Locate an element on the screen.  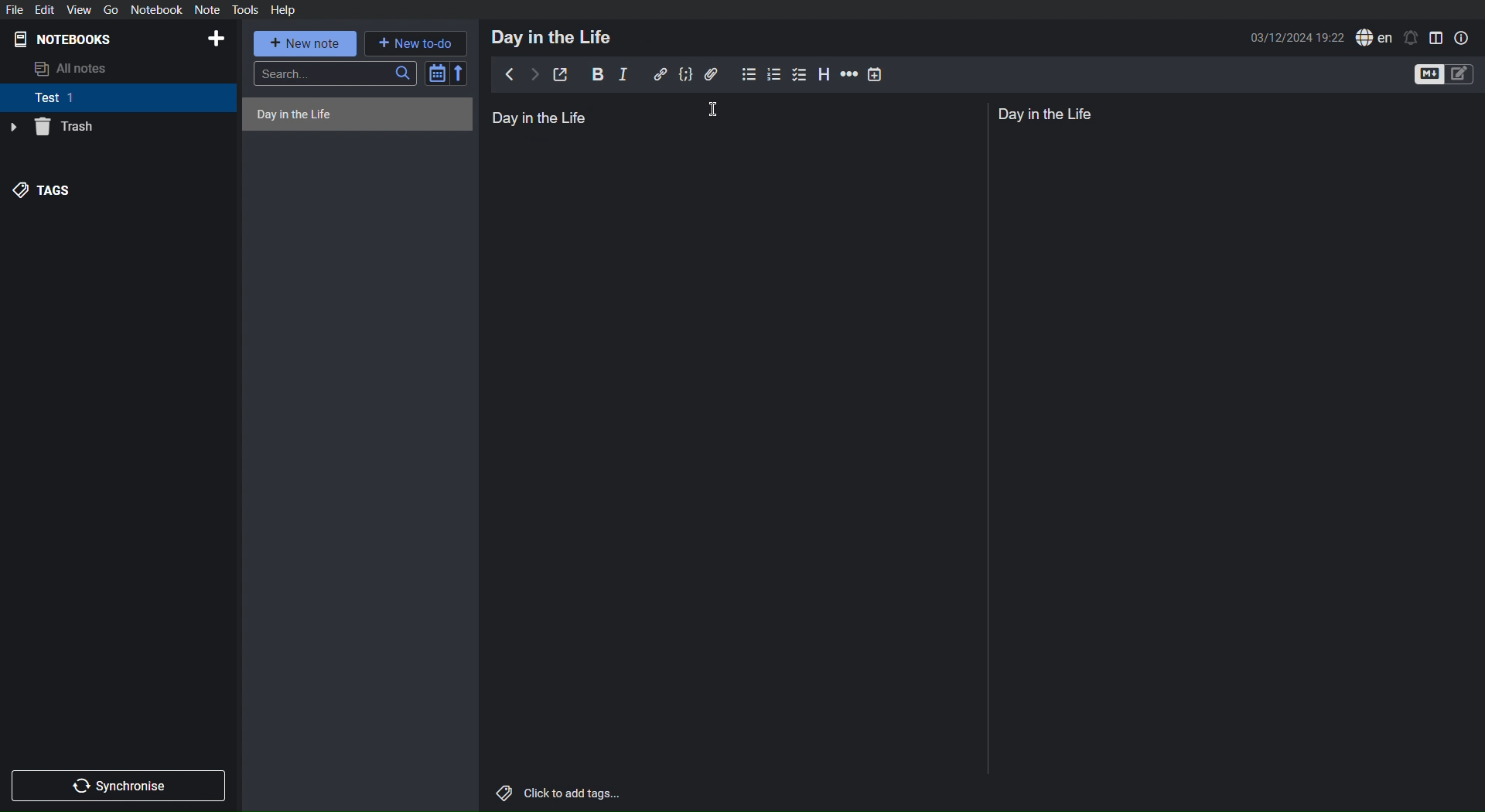
New to-do is located at coordinates (416, 43).